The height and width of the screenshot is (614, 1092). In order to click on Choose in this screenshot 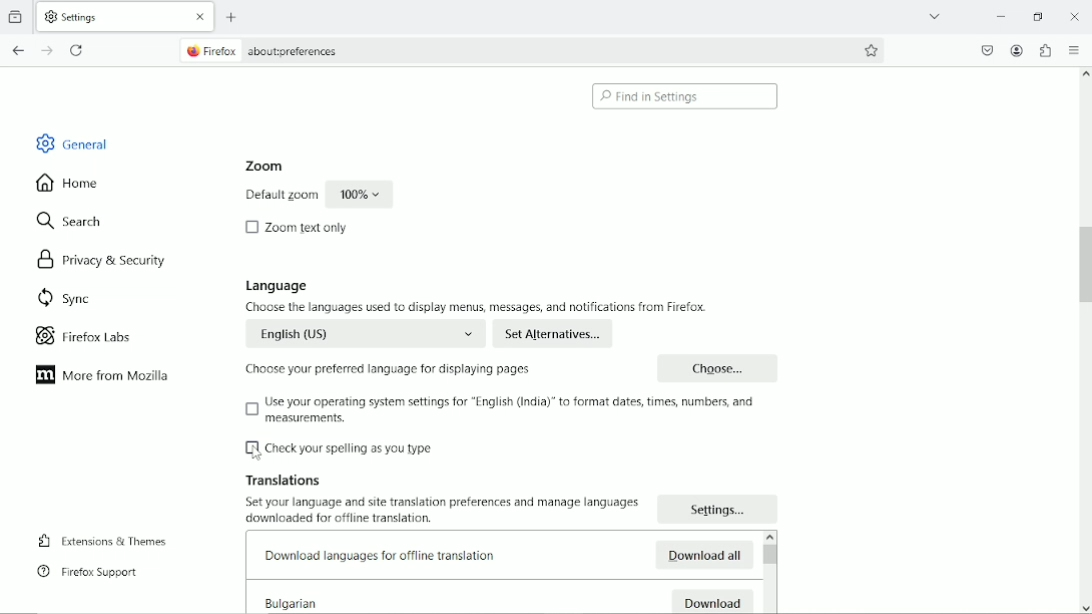, I will do `click(715, 370)`.